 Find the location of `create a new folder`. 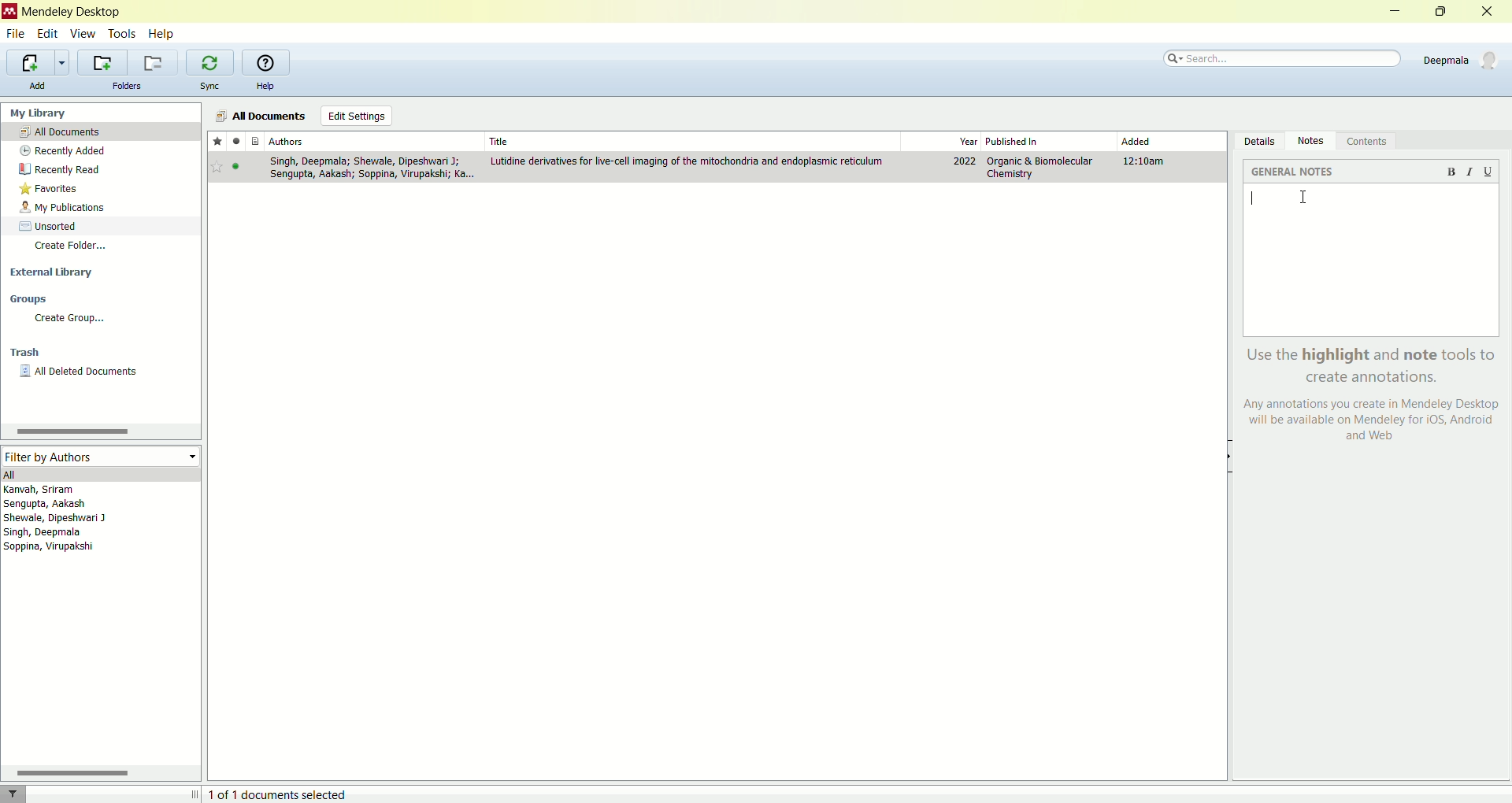

create a new folder is located at coordinates (99, 61).